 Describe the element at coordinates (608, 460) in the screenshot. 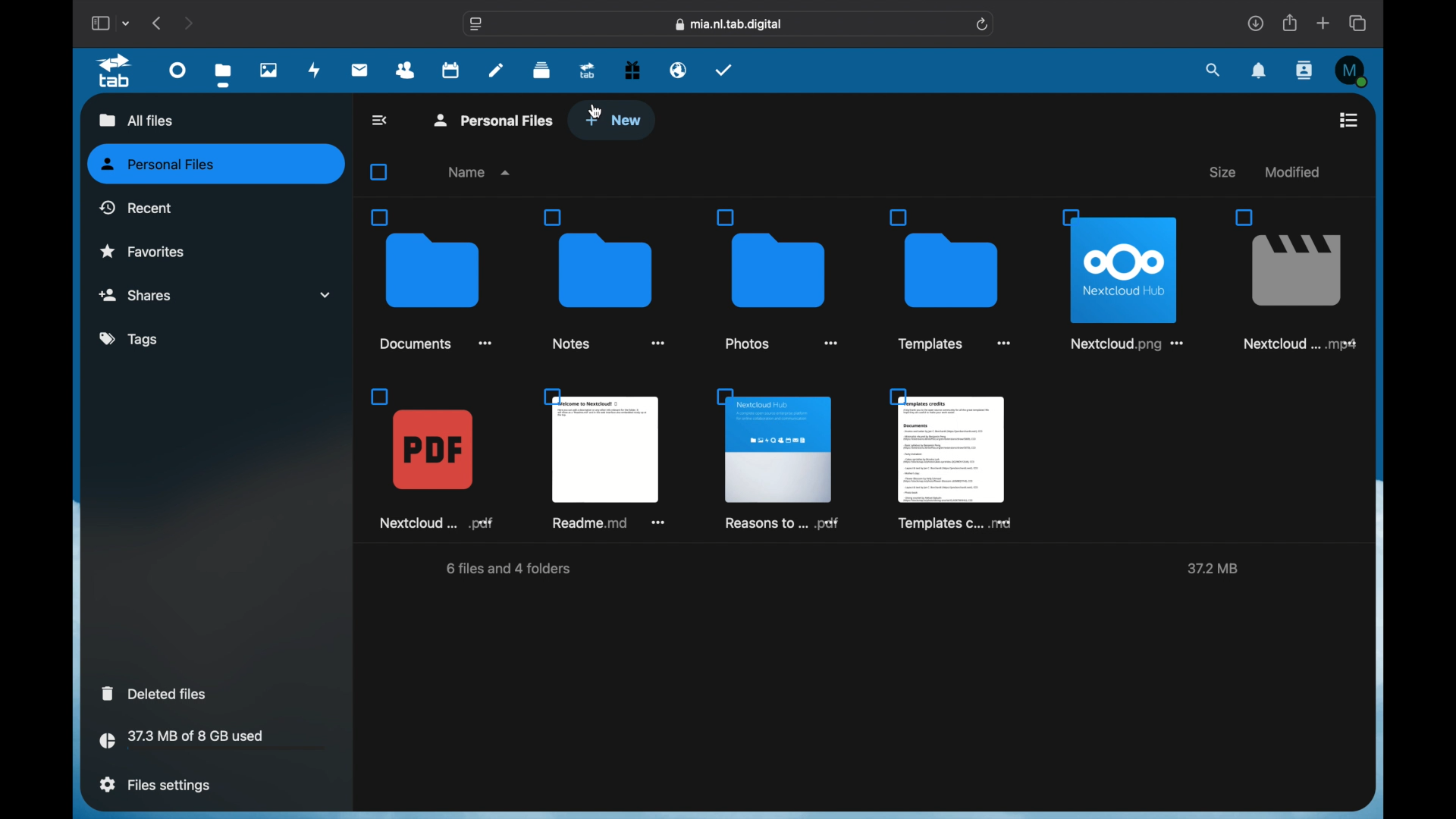

I see `file` at that location.